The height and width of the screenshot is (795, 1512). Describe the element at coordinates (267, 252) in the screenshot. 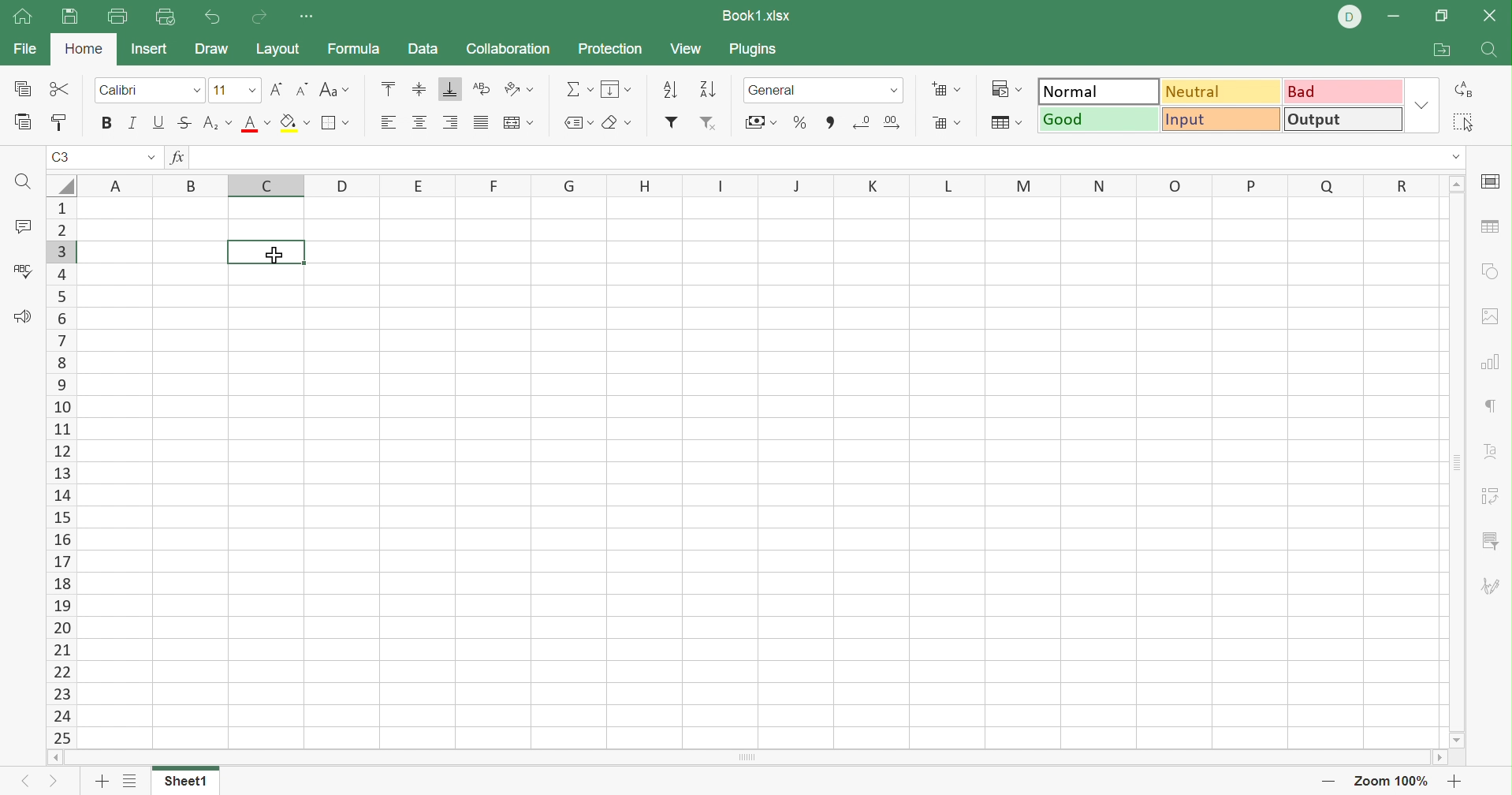

I see `Selected cell` at that location.